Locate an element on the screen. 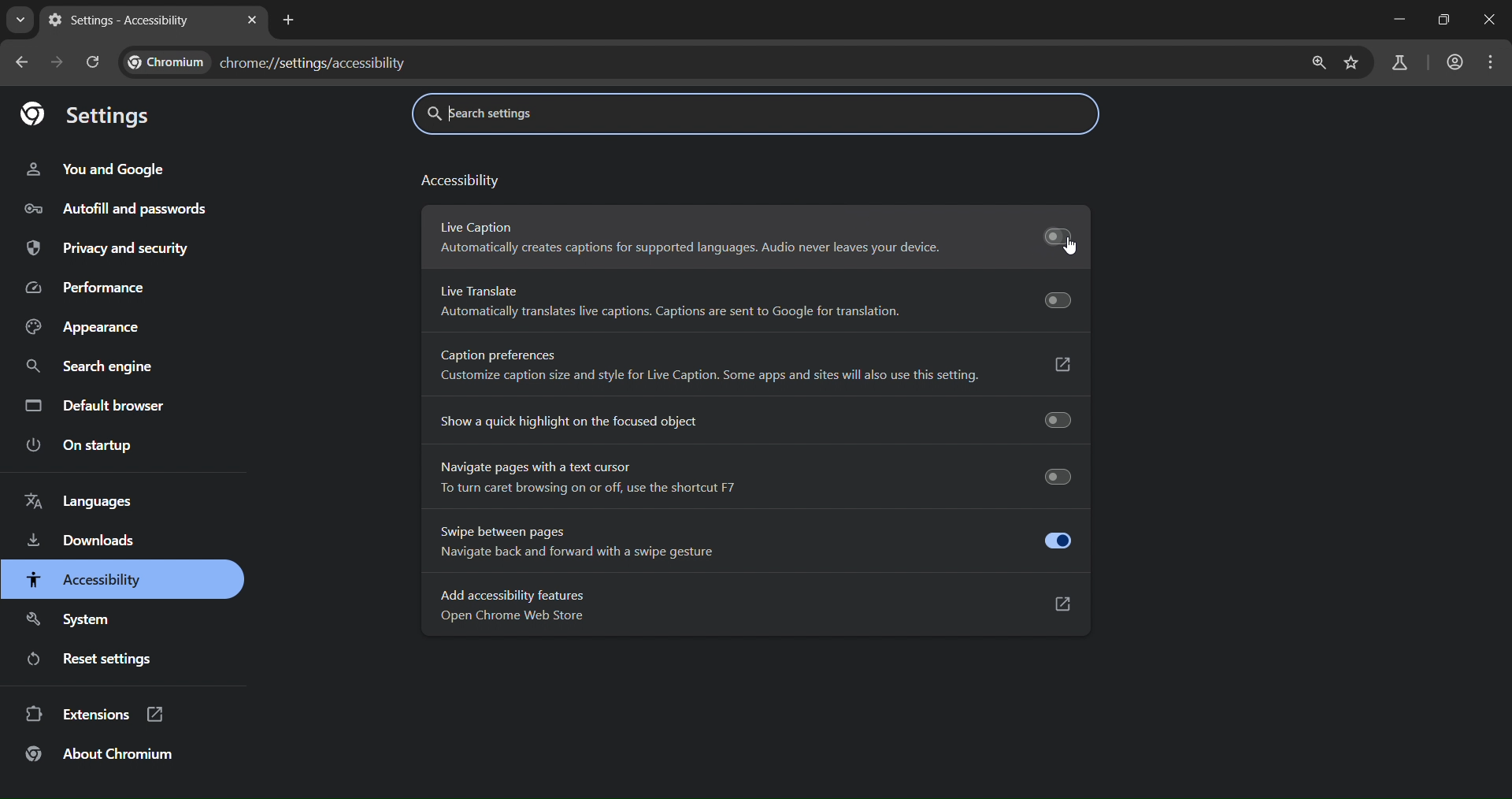  search settings is located at coordinates (754, 113).